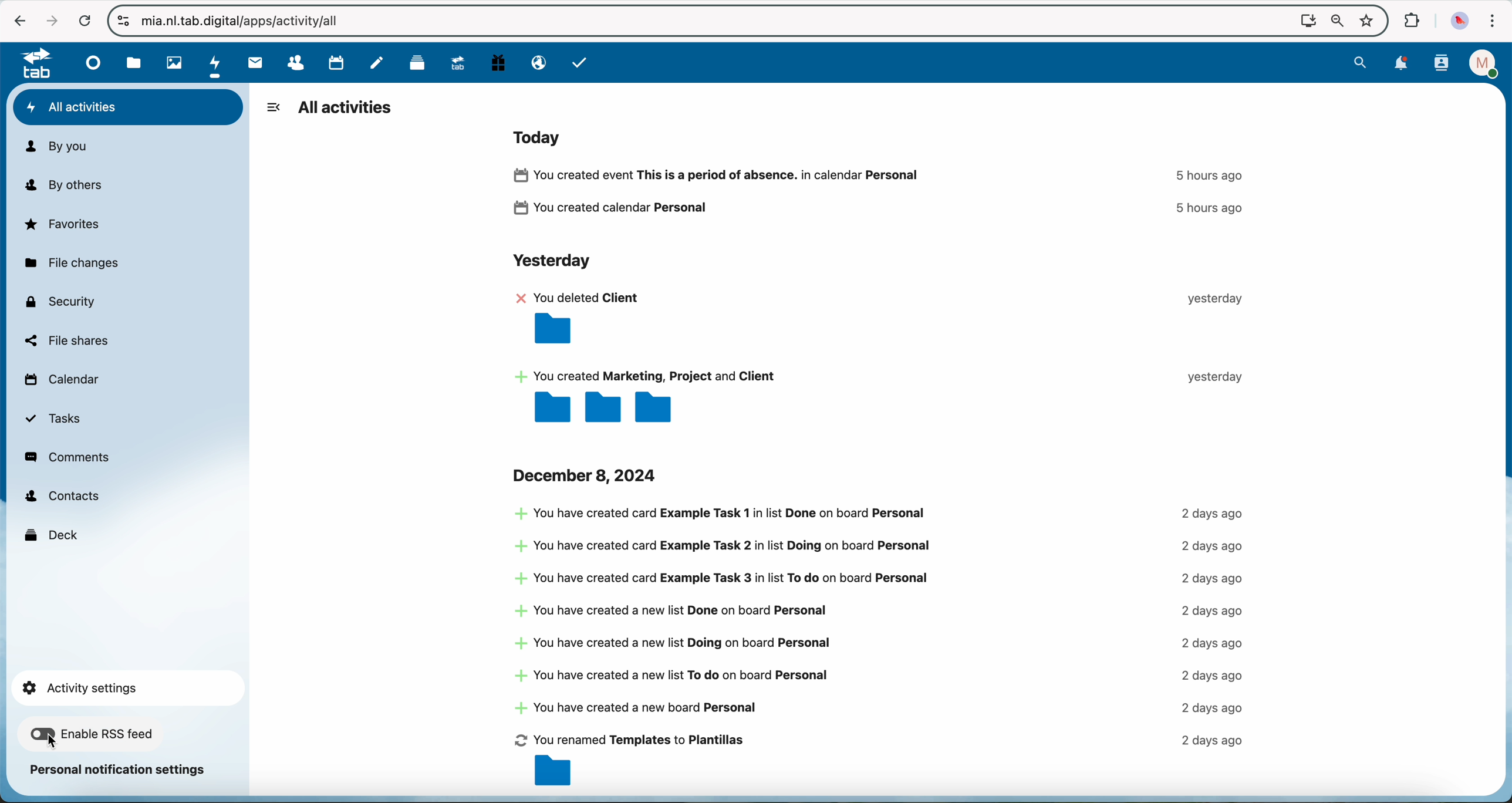 Image resolution: width=1512 pixels, height=803 pixels. What do you see at coordinates (1336, 22) in the screenshot?
I see `zoom out` at bounding box center [1336, 22].